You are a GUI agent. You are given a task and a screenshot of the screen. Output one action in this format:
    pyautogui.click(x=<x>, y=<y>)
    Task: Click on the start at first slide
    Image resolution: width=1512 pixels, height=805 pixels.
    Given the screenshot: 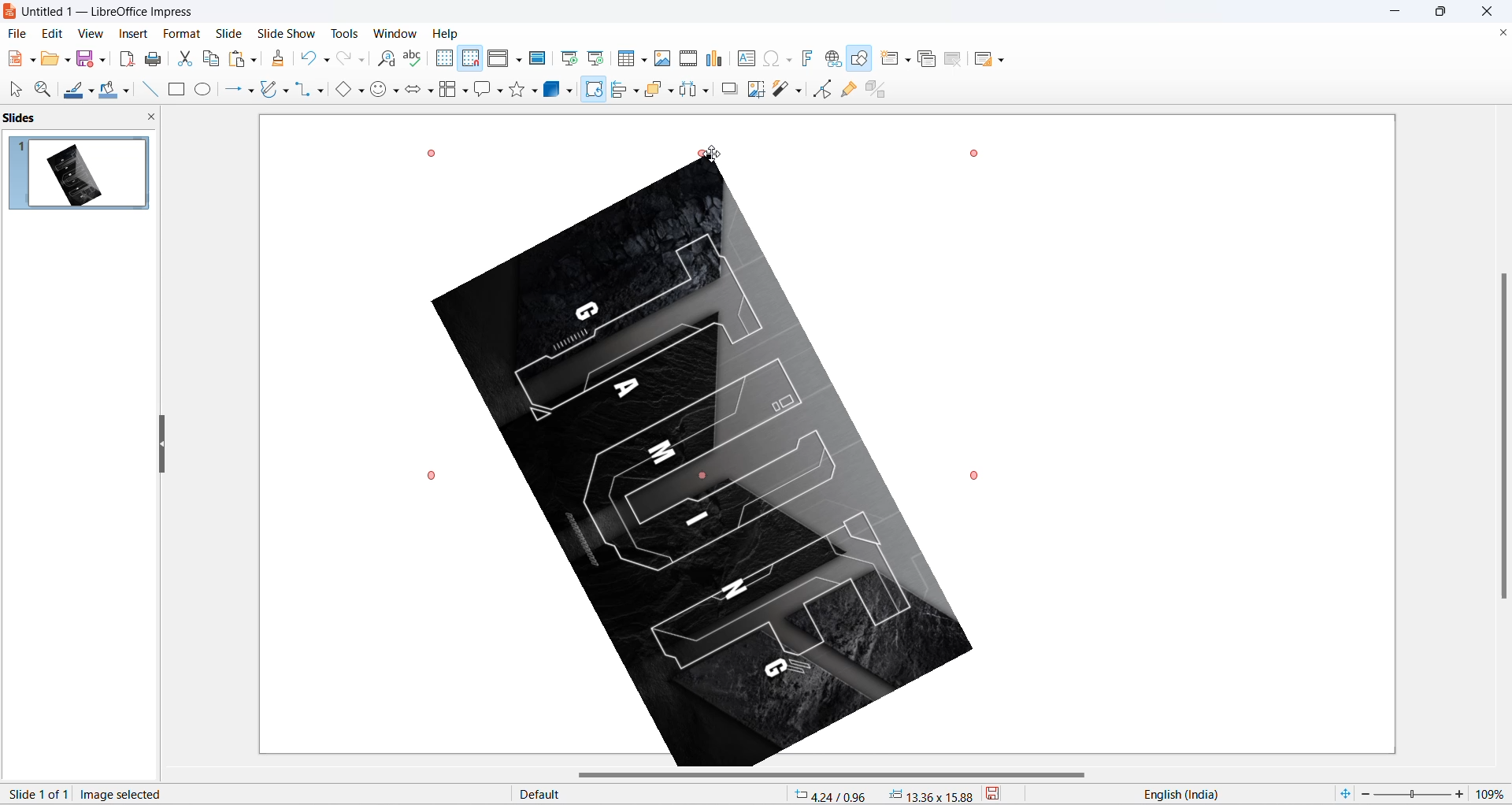 What is the action you would take?
    pyautogui.click(x=571, y=58)
    